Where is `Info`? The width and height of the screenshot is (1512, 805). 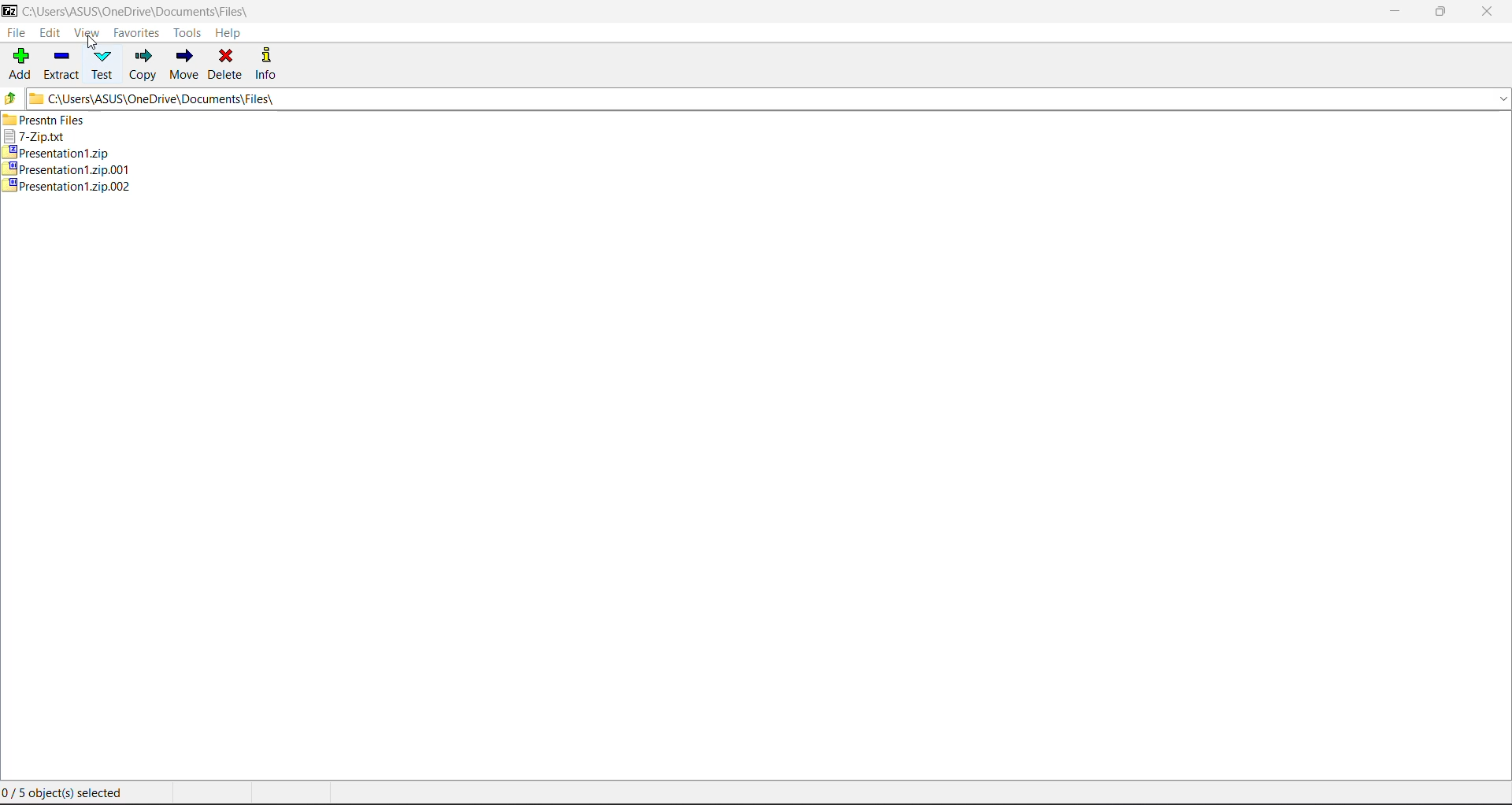 Info is located at coordinates (267, 63).